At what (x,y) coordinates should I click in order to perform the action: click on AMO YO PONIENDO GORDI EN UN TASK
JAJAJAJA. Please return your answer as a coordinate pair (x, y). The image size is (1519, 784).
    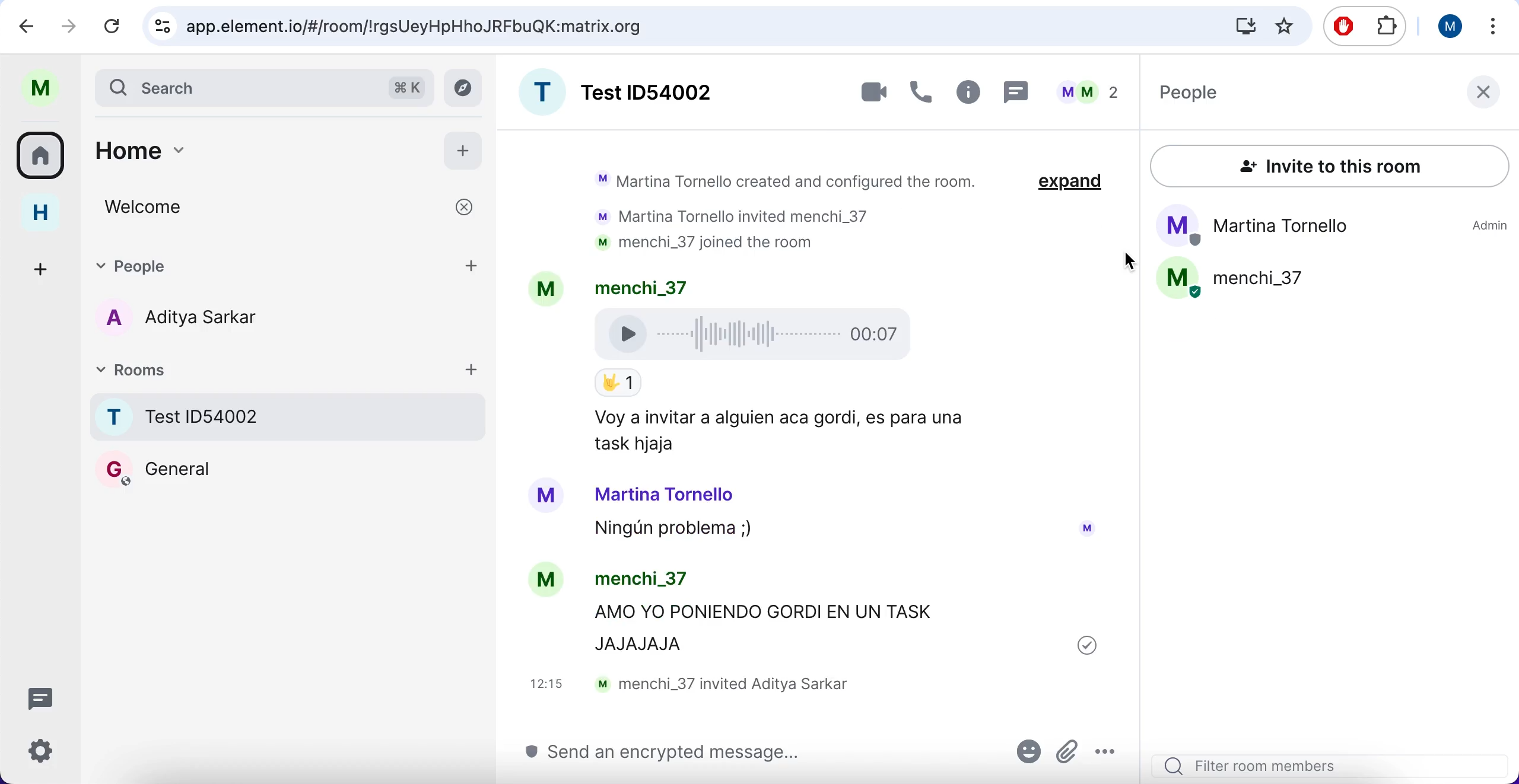
    Looking at the image, I should click on (793, 630).